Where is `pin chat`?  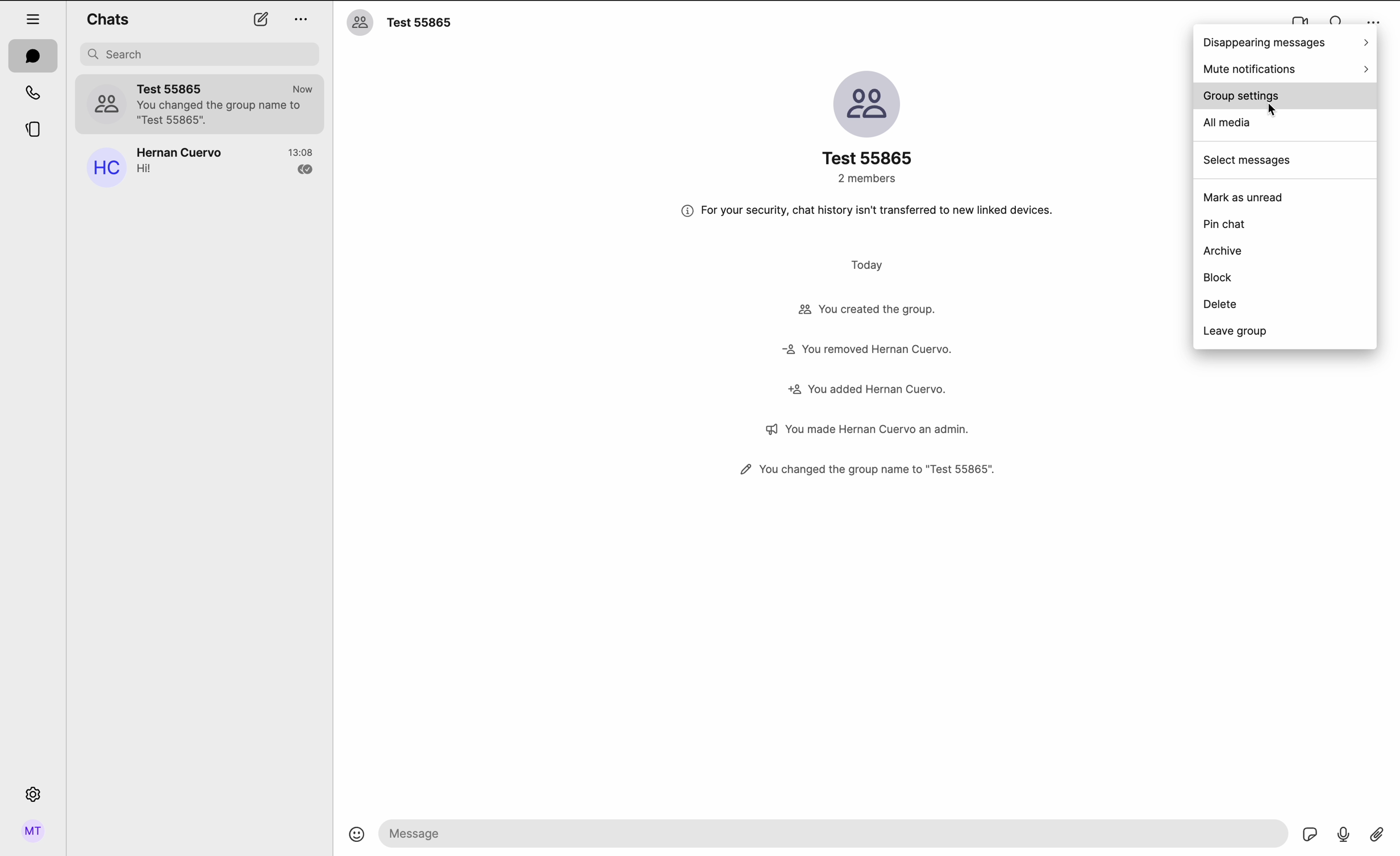 pin chat is located at coordinates (1227, 222).